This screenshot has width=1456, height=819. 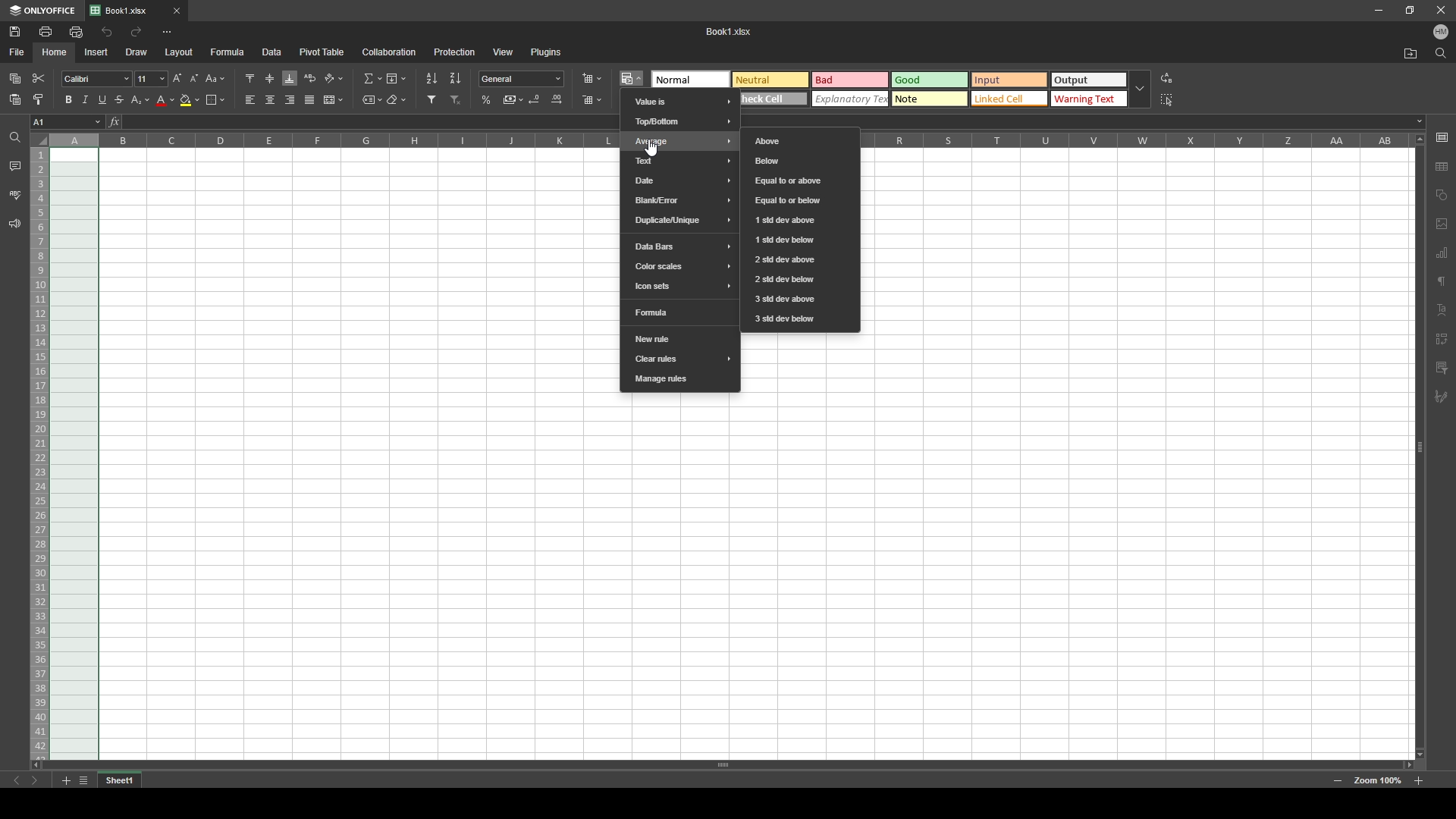 I want to click on shape, so click(x=1442, y=196).